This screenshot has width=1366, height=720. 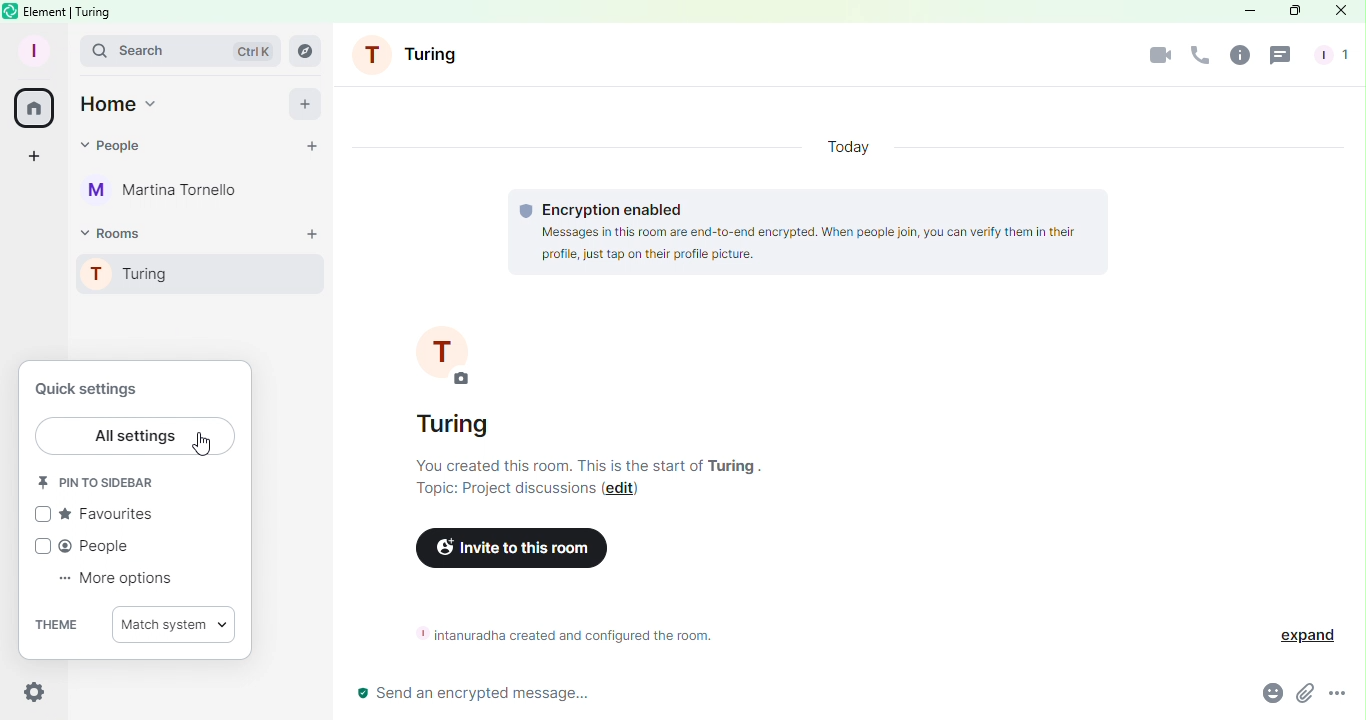 What do you see at coordinates (306, 146) in the screenshot?
I see `Start chat` at bounding box center [306, 146].